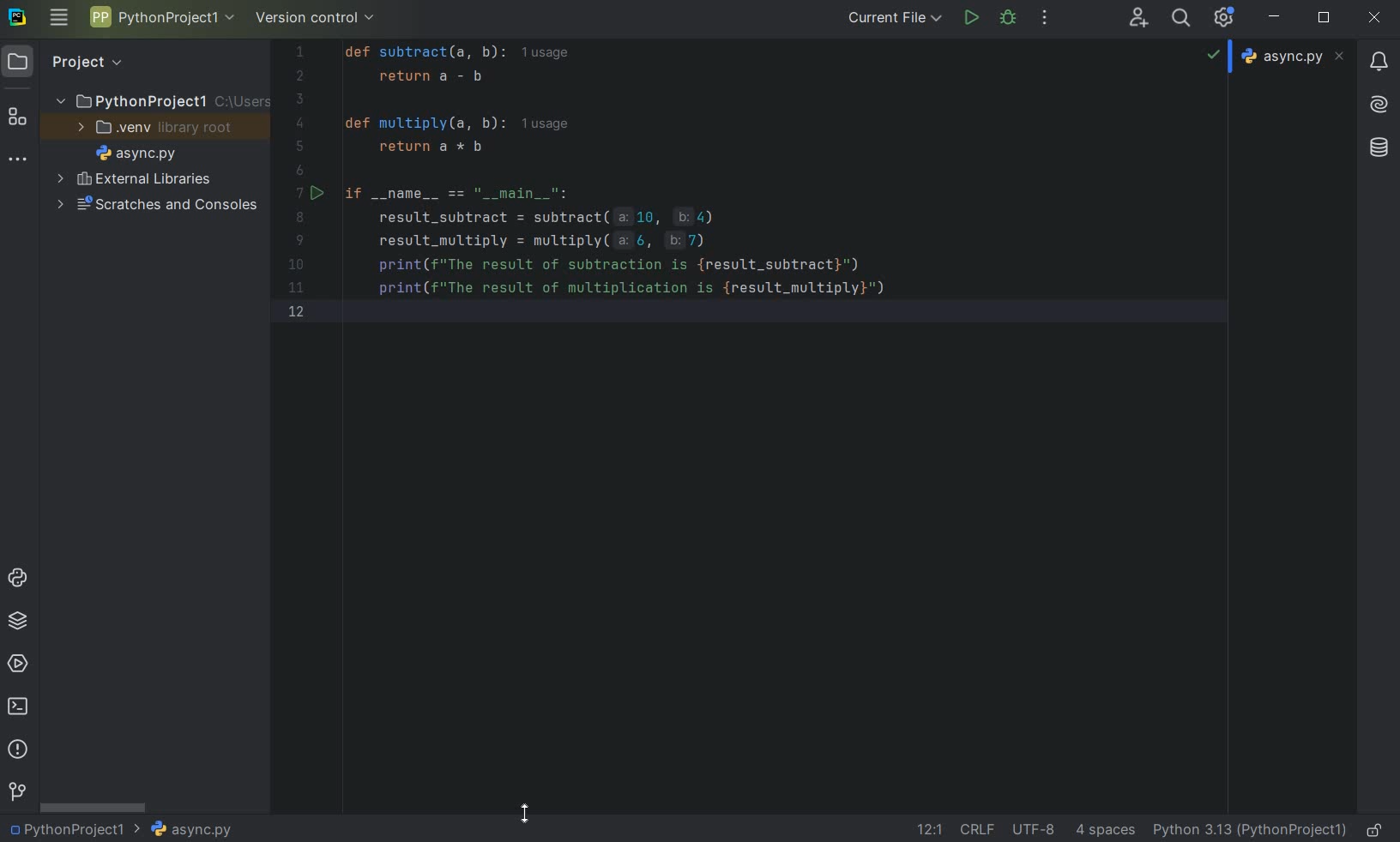  What do you see at coordinates (930, 827) in the screenshot?
I see `go to line` at bounding box center [930, 827].